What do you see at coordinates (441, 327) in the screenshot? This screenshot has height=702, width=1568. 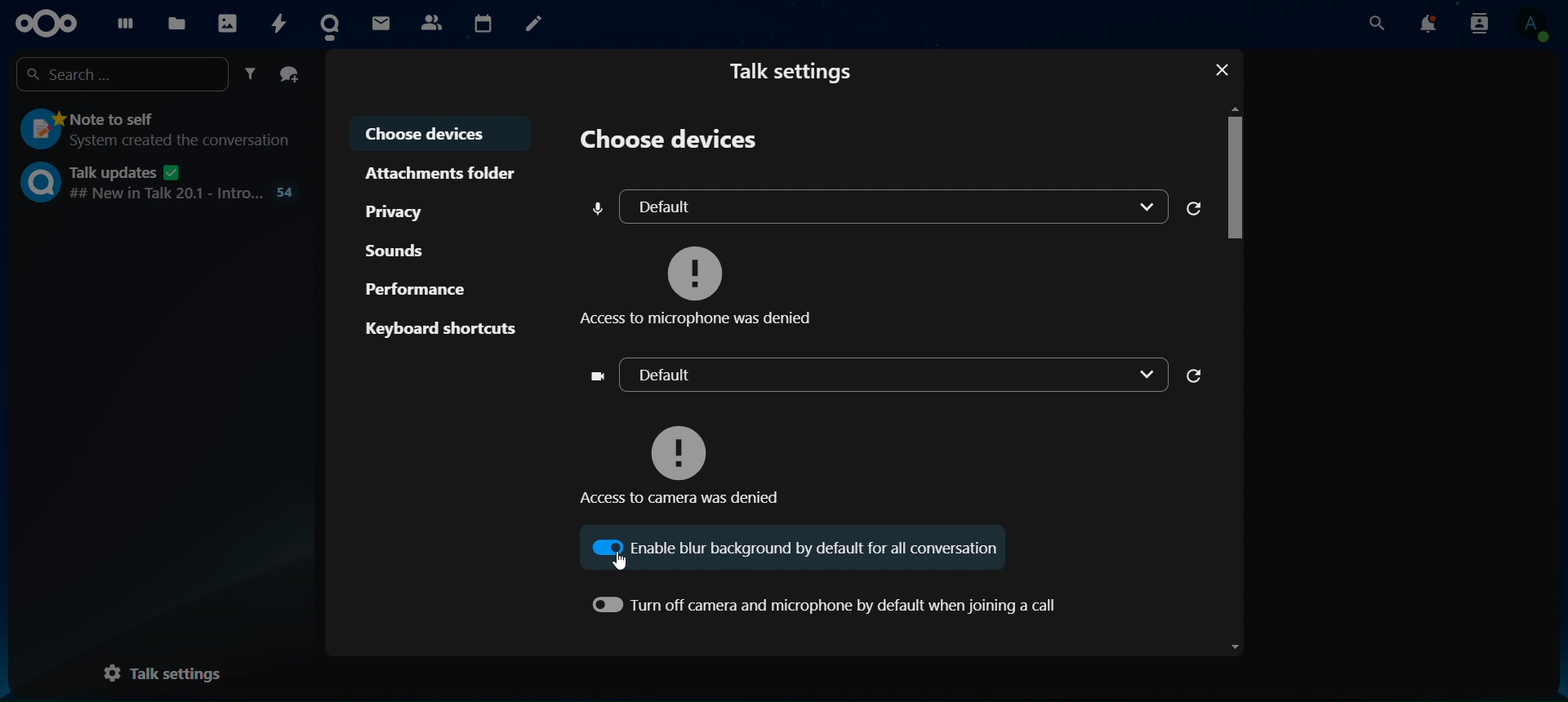 I see `keyboard shortcuts` at bounding box center [441, 327].